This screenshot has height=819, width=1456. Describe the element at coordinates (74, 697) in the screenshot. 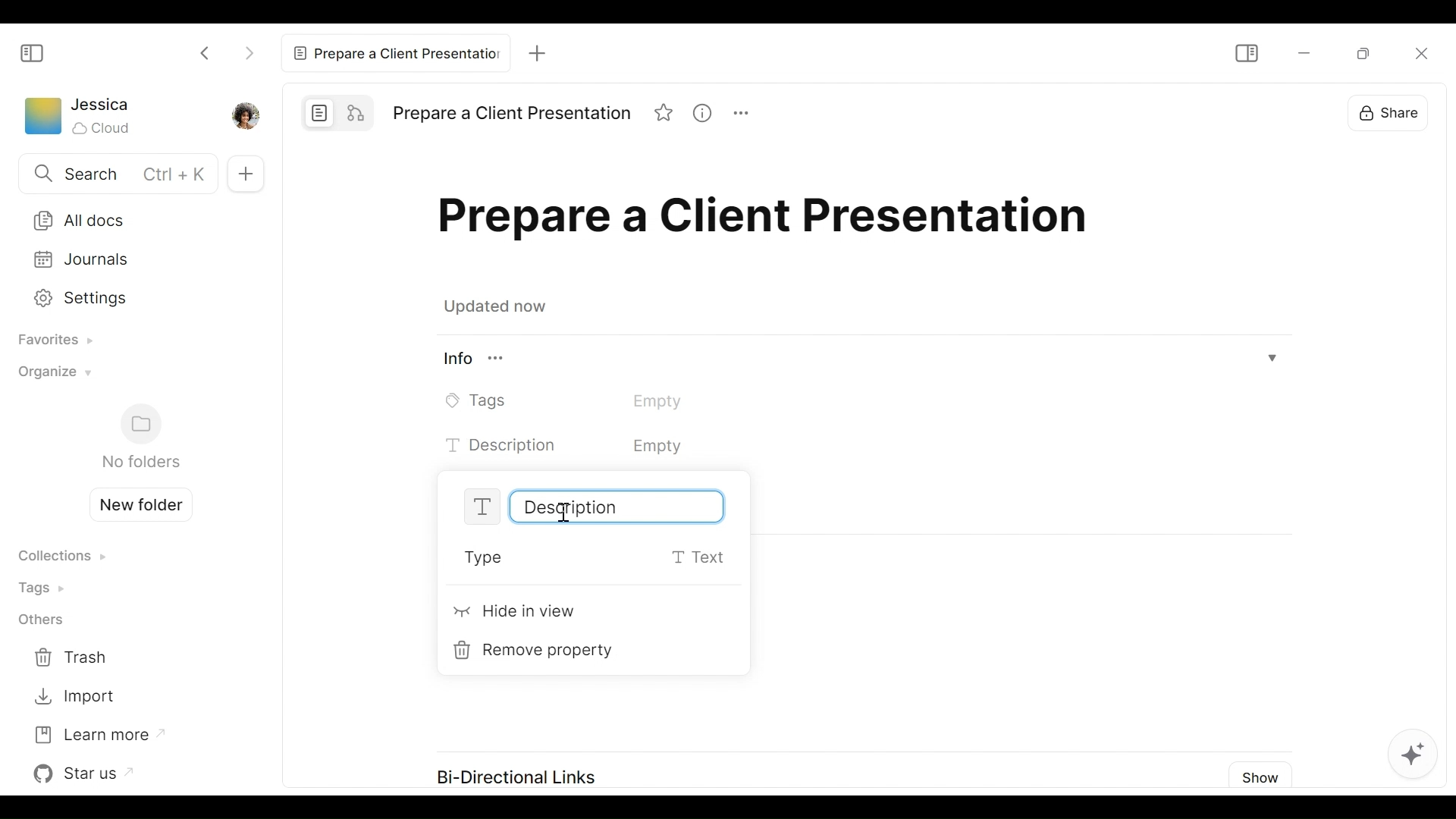

I see `Import` at that location.